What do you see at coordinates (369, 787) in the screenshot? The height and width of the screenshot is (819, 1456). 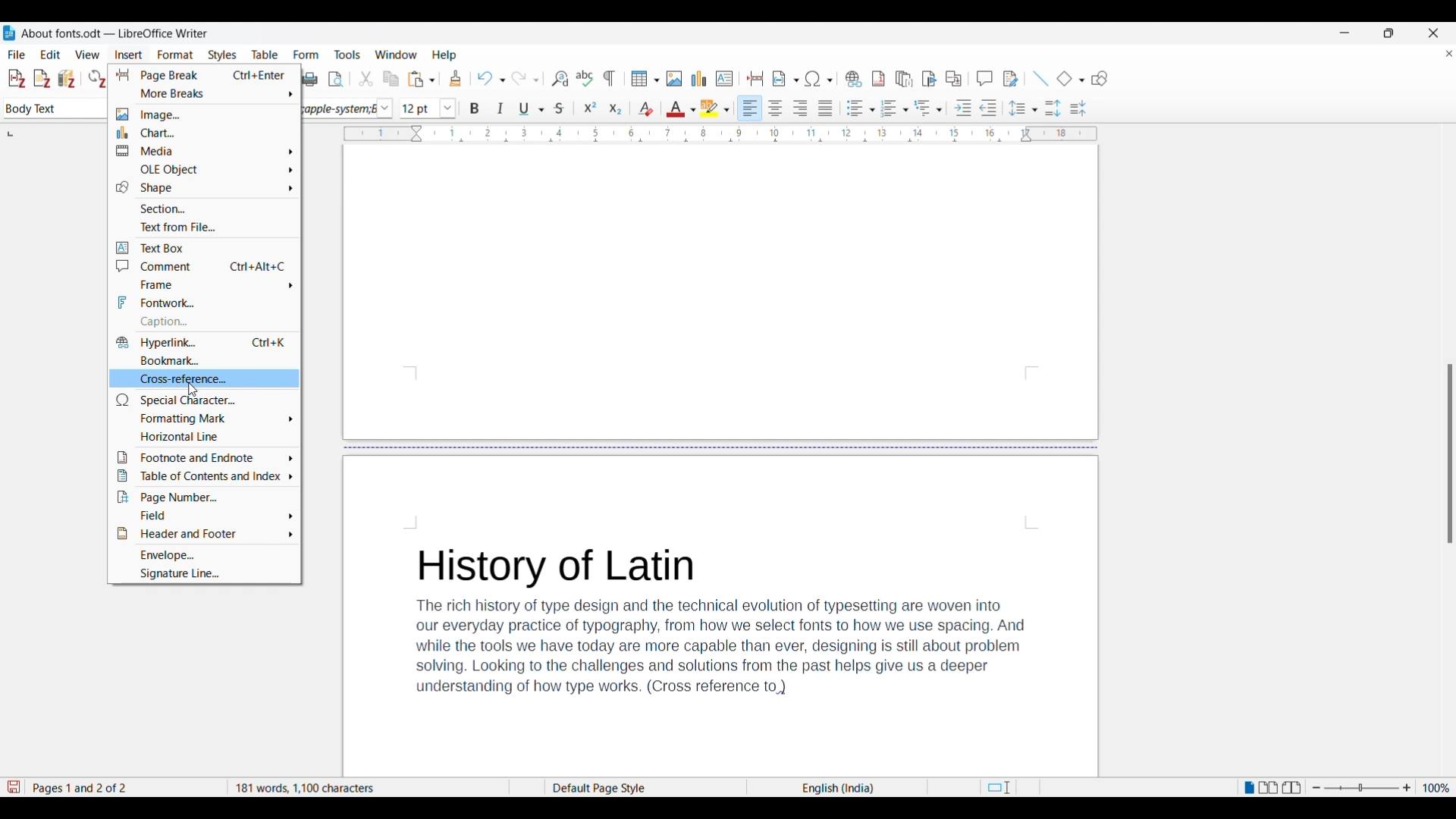 I see `181 words, 1100 characters` at bounding box center [369, 787].